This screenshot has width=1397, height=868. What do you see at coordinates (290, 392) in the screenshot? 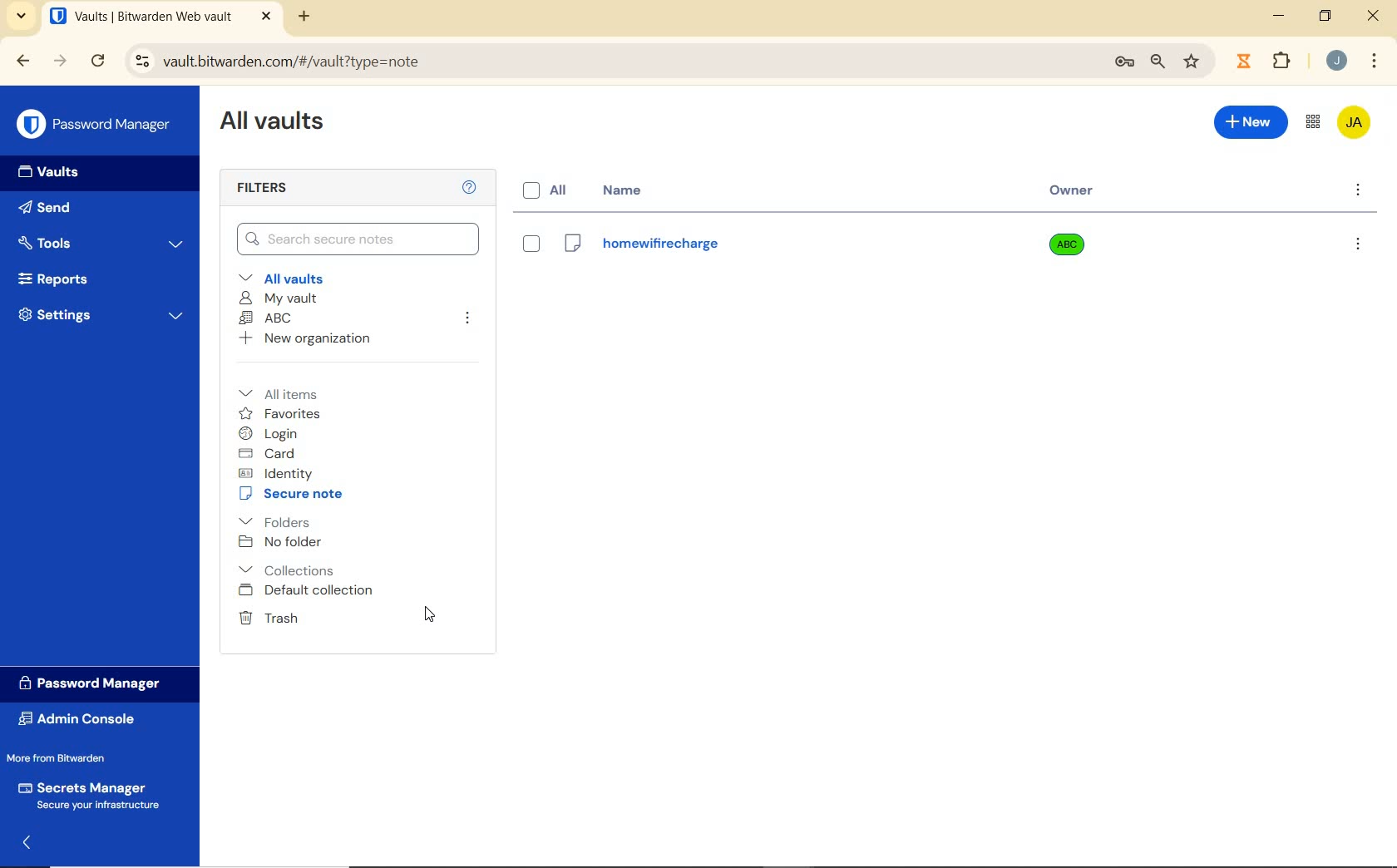
I see `All items` at bounding box center [290, 392].